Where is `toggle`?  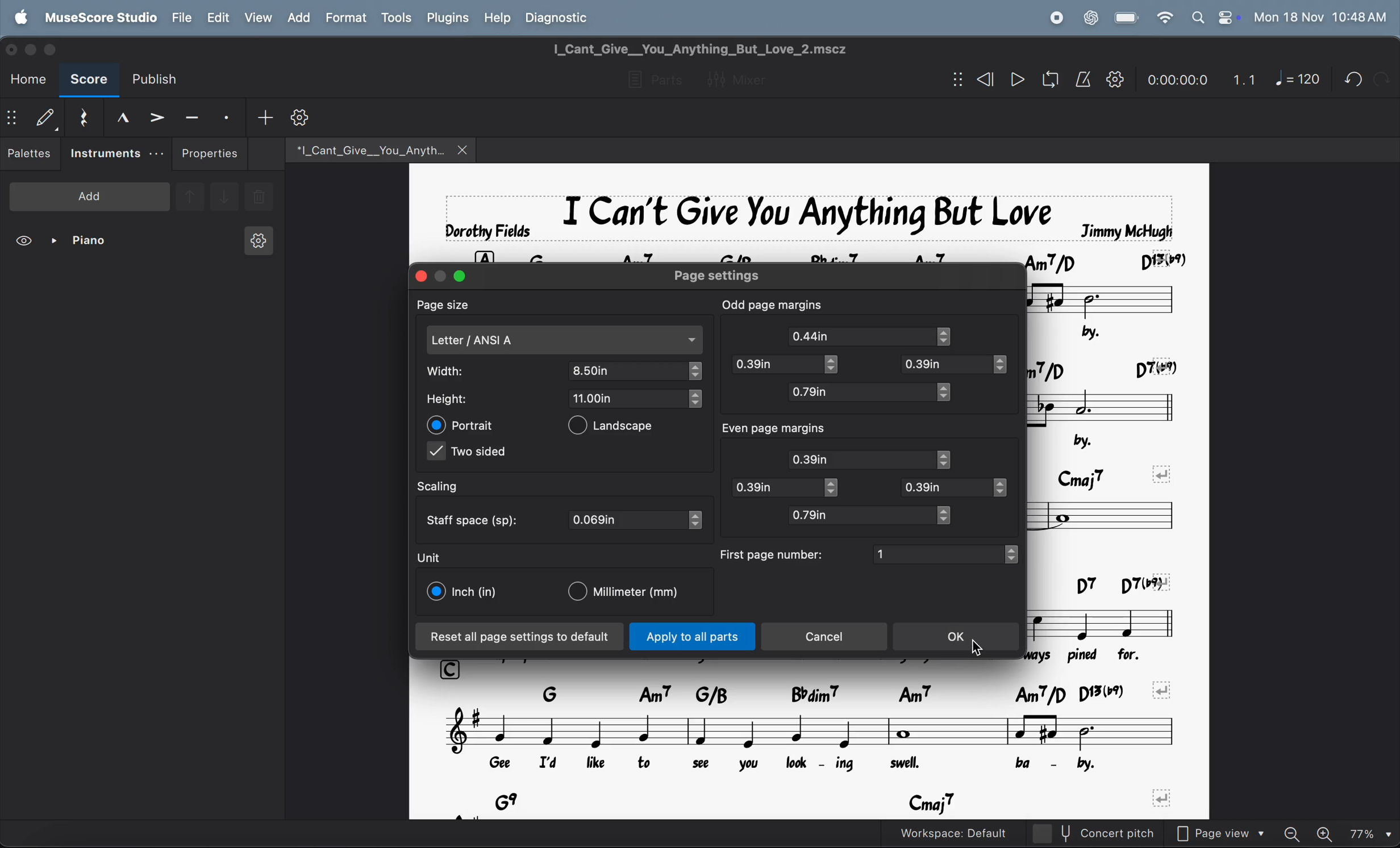 toggle is located at coordinates (948, 459).